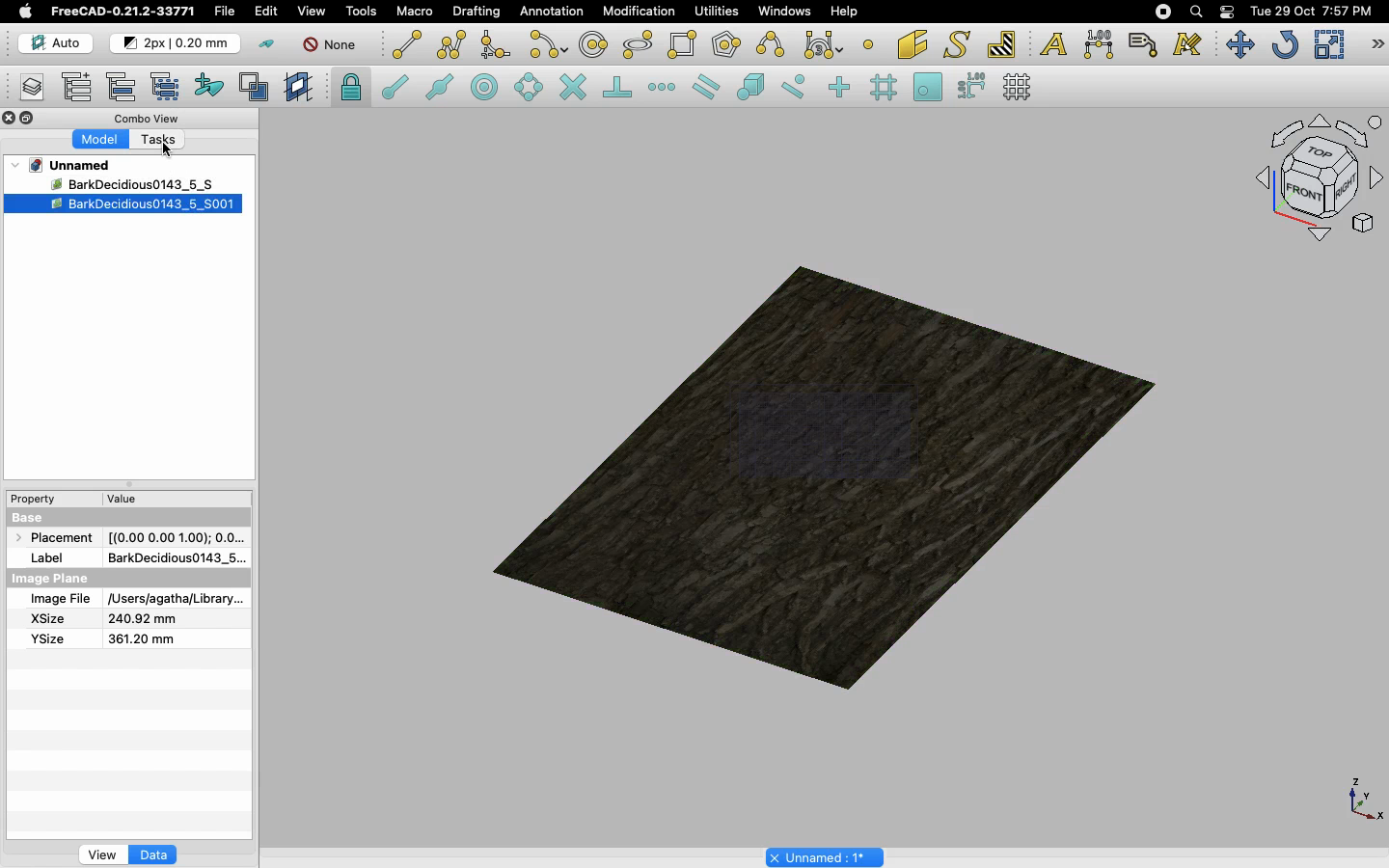 Image resolution: width=1389 pixels, height=868 pixels. What do you see at coordinates (826, 44) in the screenshot?
I see `Bezier tools` at bounding box center [826, 44].